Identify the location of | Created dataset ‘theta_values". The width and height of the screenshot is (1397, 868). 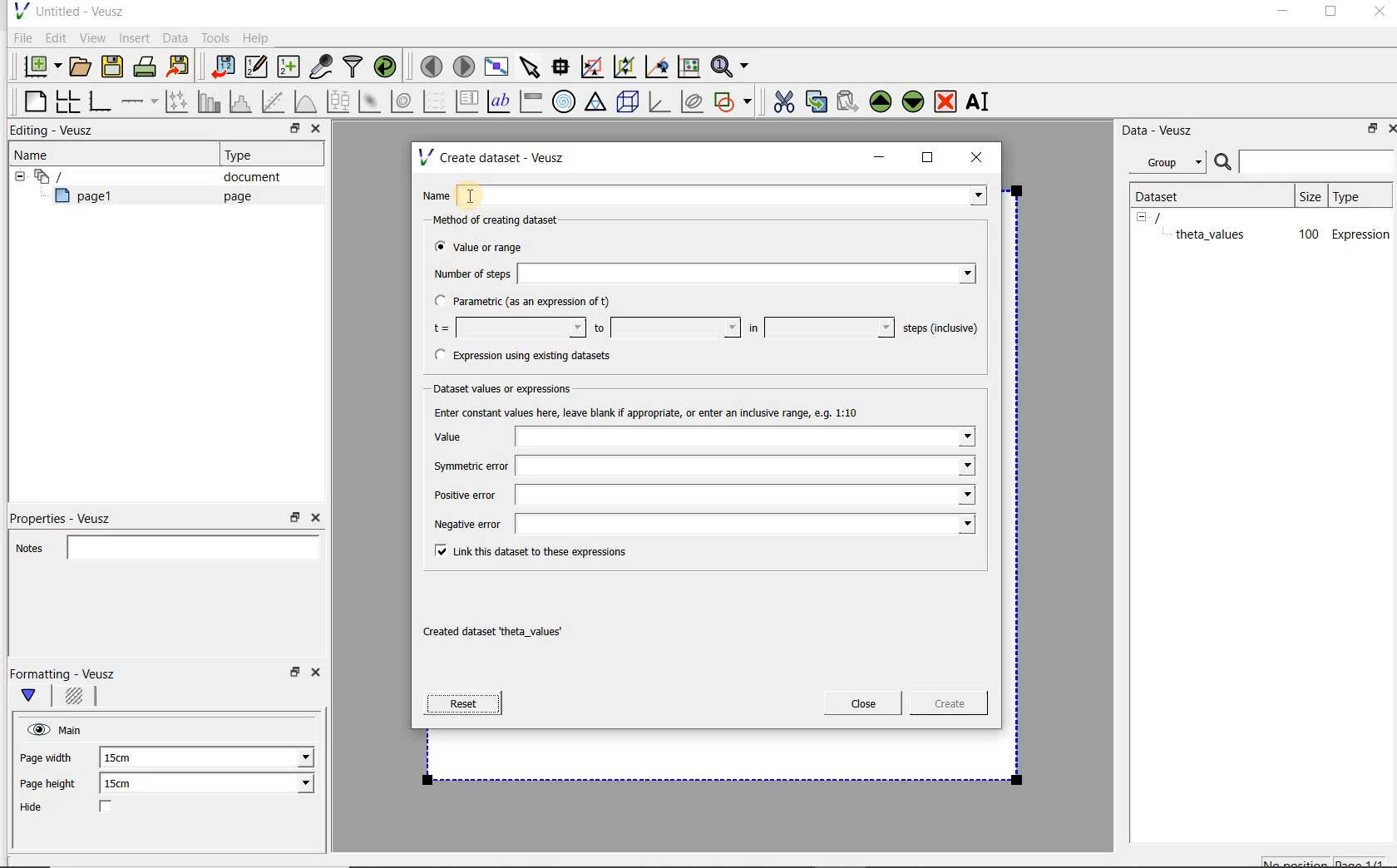
(511, 633).